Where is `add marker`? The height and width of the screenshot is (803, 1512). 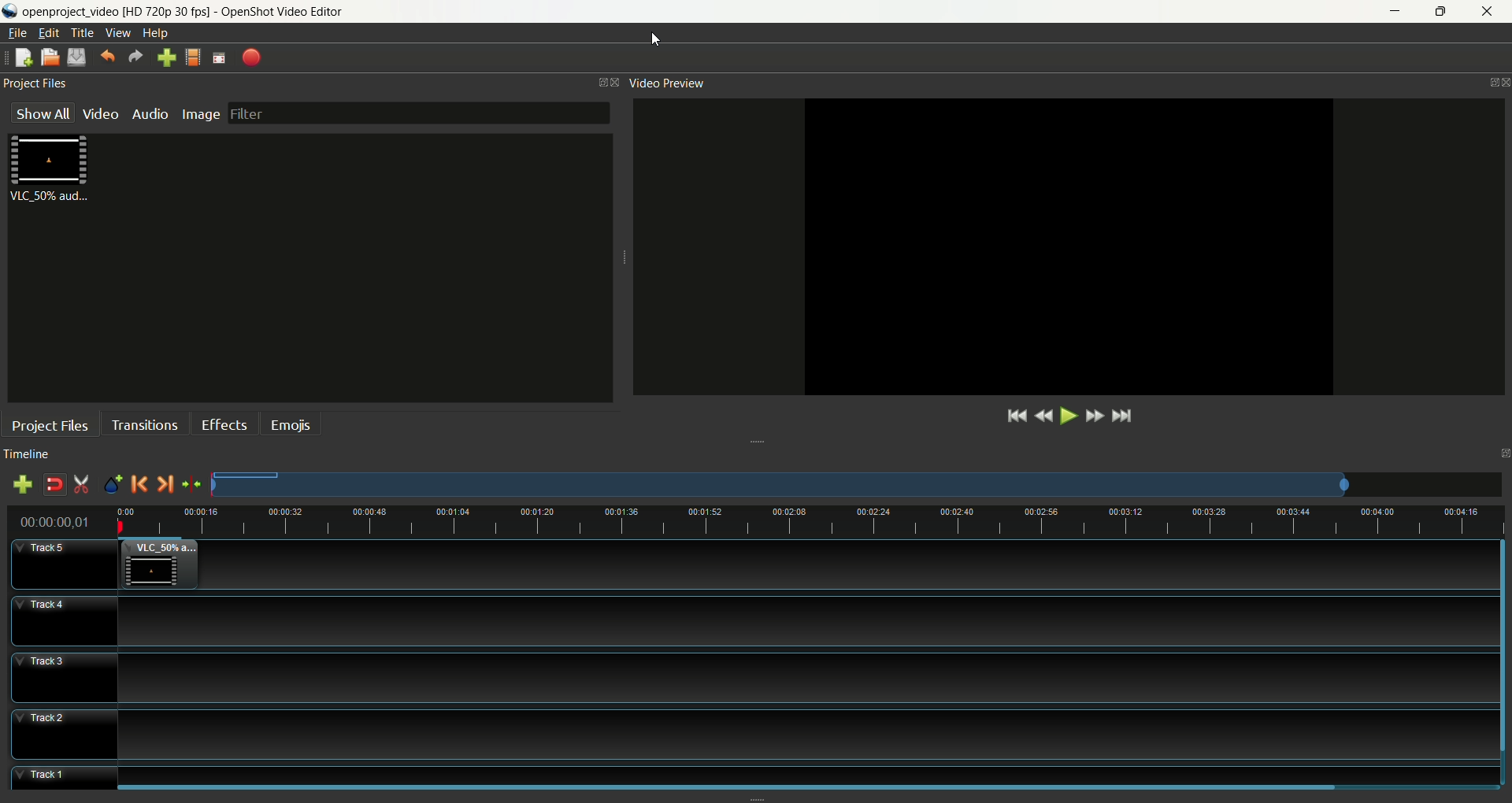 add marker is located at coordinates (110, 484).